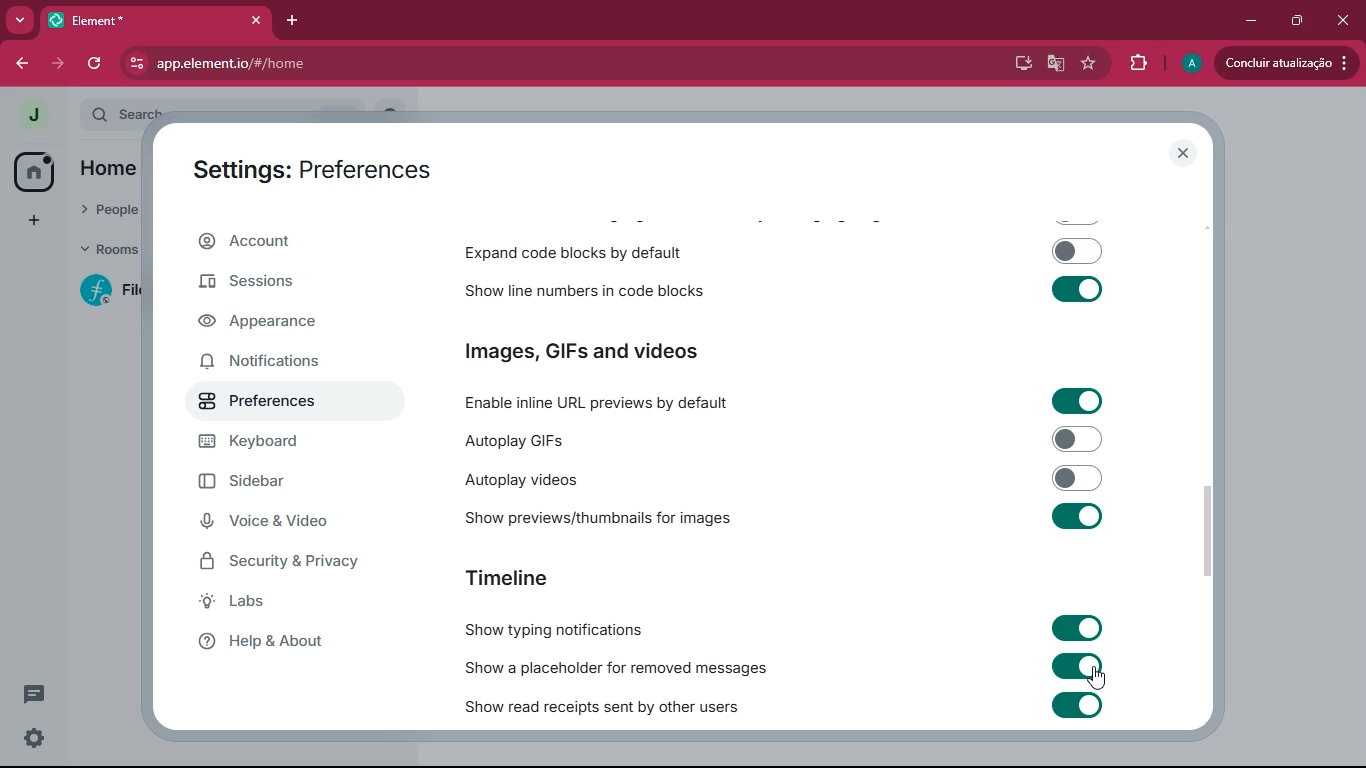  I want to click on toggle on/off, so click(1076, 626).